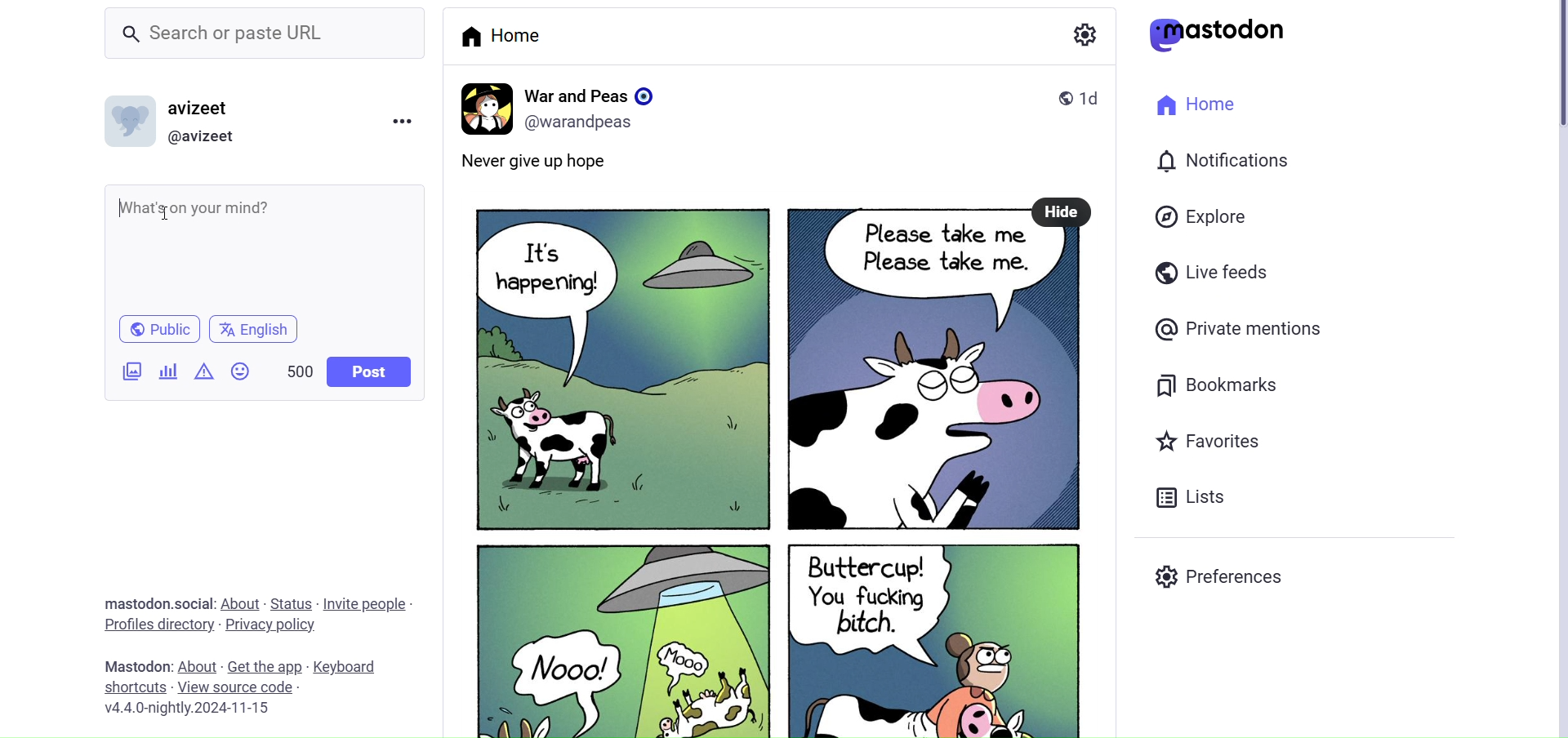 This screenshot has height=738, width=1568. I want to click on Post, so click(369, 373).